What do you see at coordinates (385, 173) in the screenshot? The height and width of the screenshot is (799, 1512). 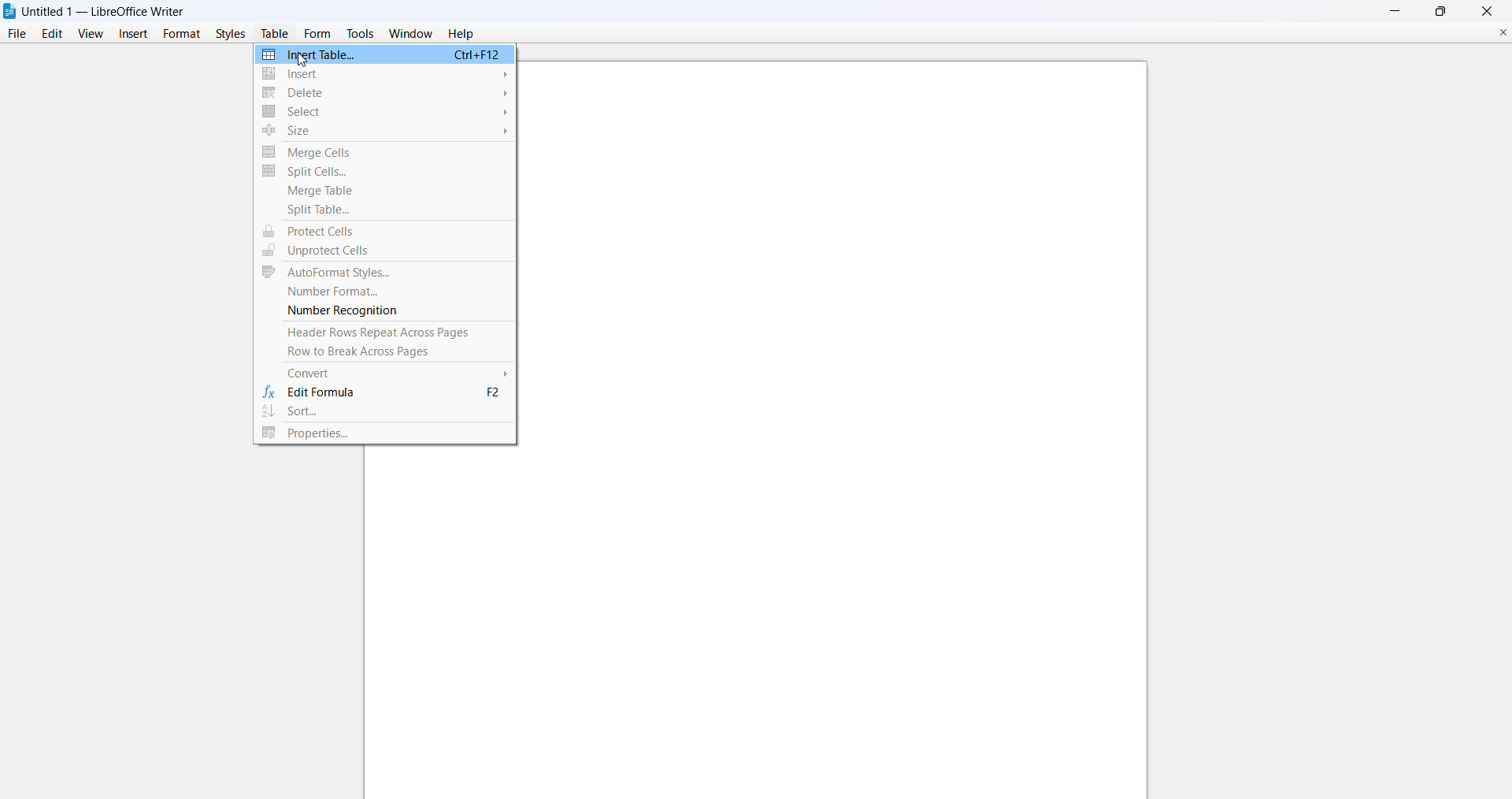 I see `split cells` at bounding box center [385, 173].